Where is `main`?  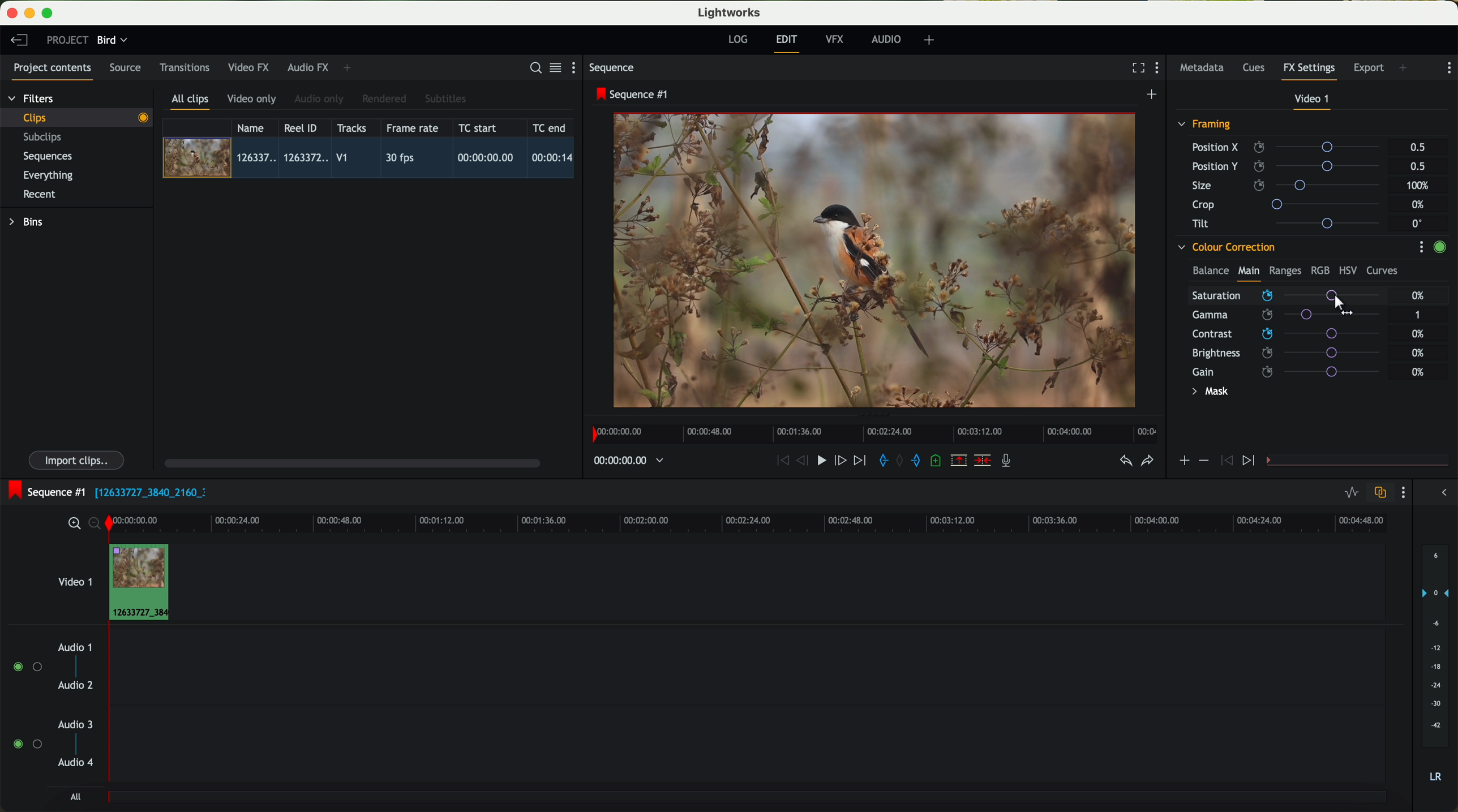
main is located at coordinates (1249, 273).